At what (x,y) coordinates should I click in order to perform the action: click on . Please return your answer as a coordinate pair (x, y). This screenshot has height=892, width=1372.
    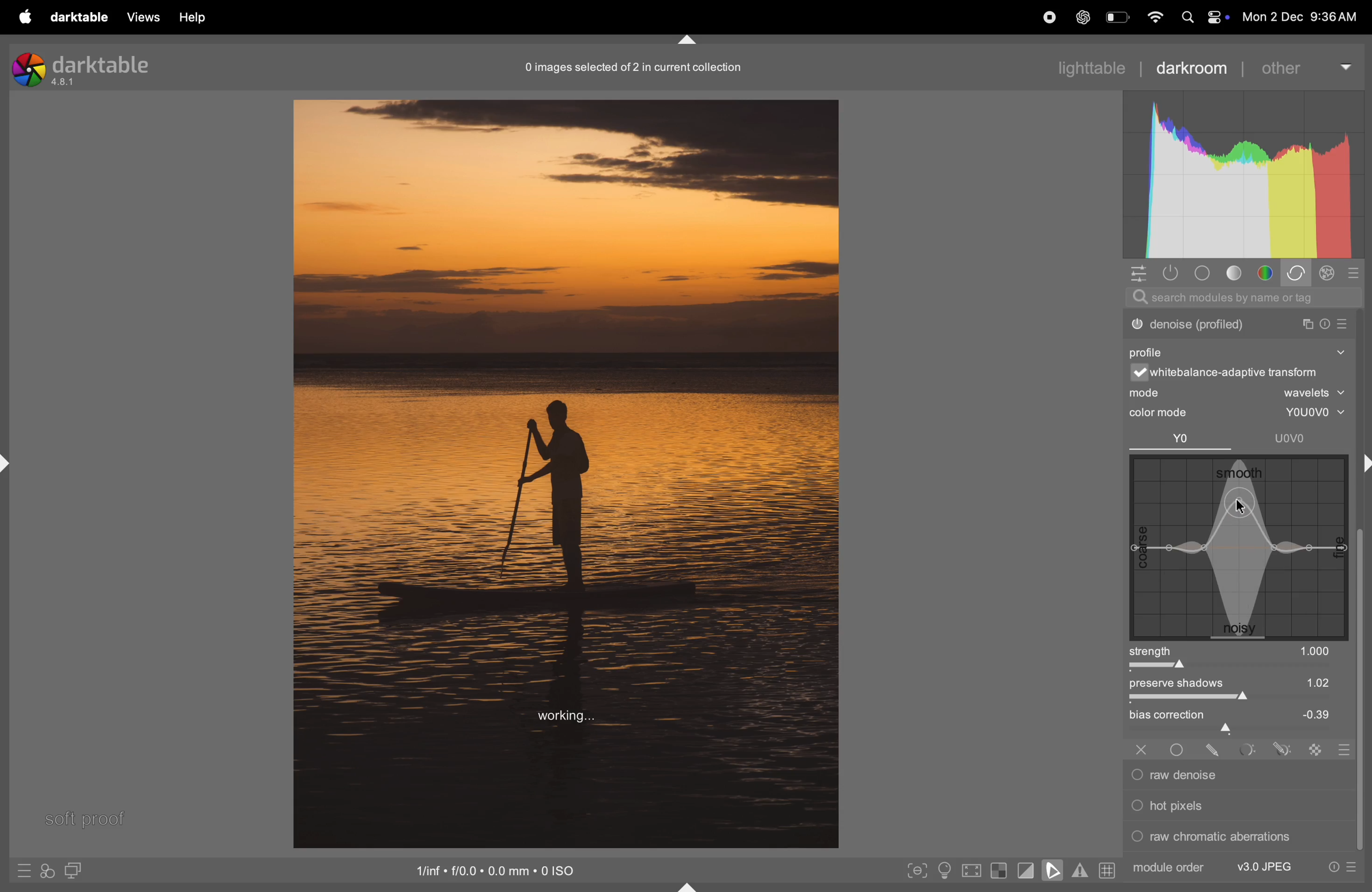
    Looking at the image, I should click on (1214, 748).